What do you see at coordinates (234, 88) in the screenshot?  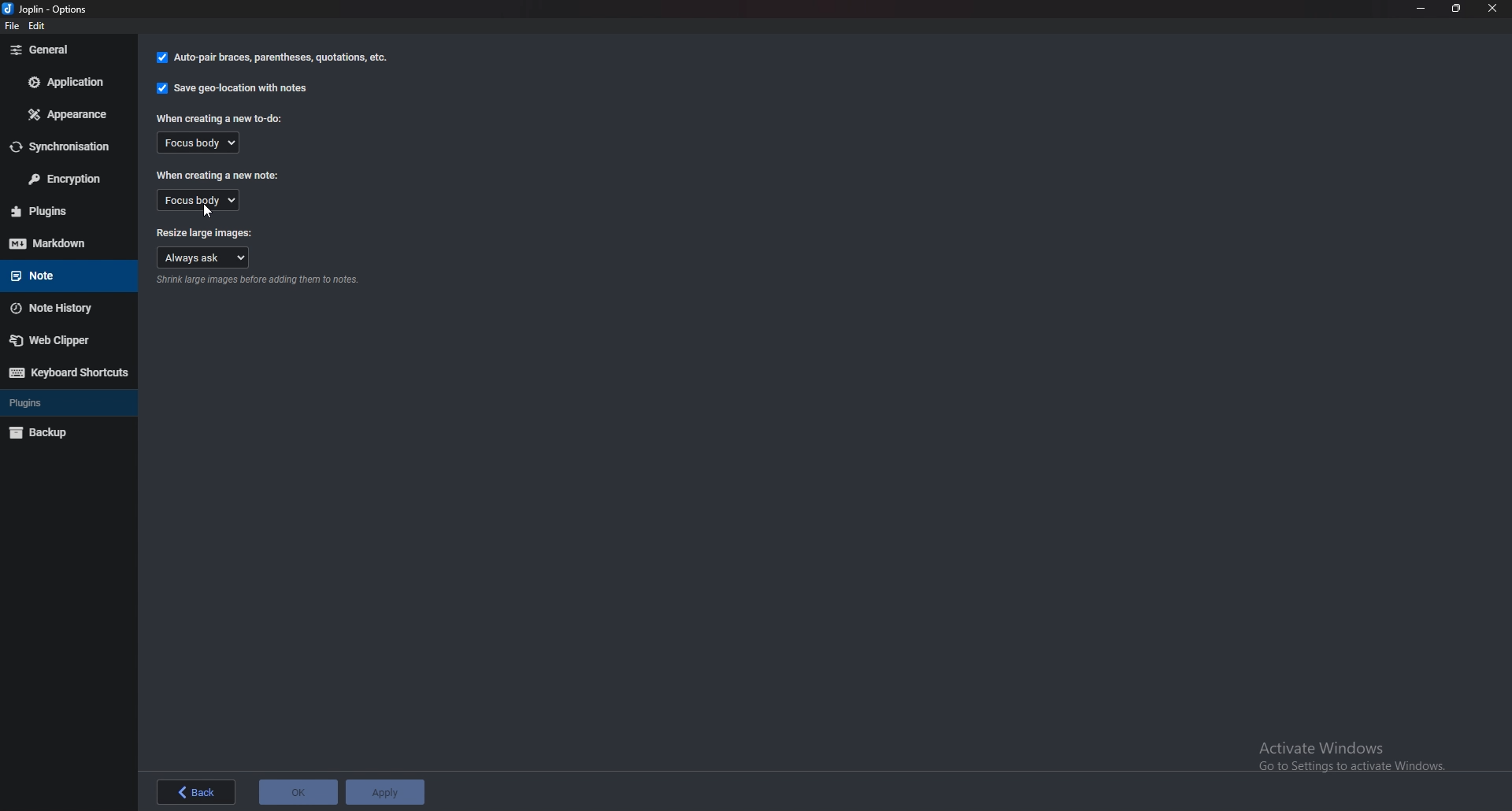 I see `save geo location with notes` at bounding box center [234, 88].